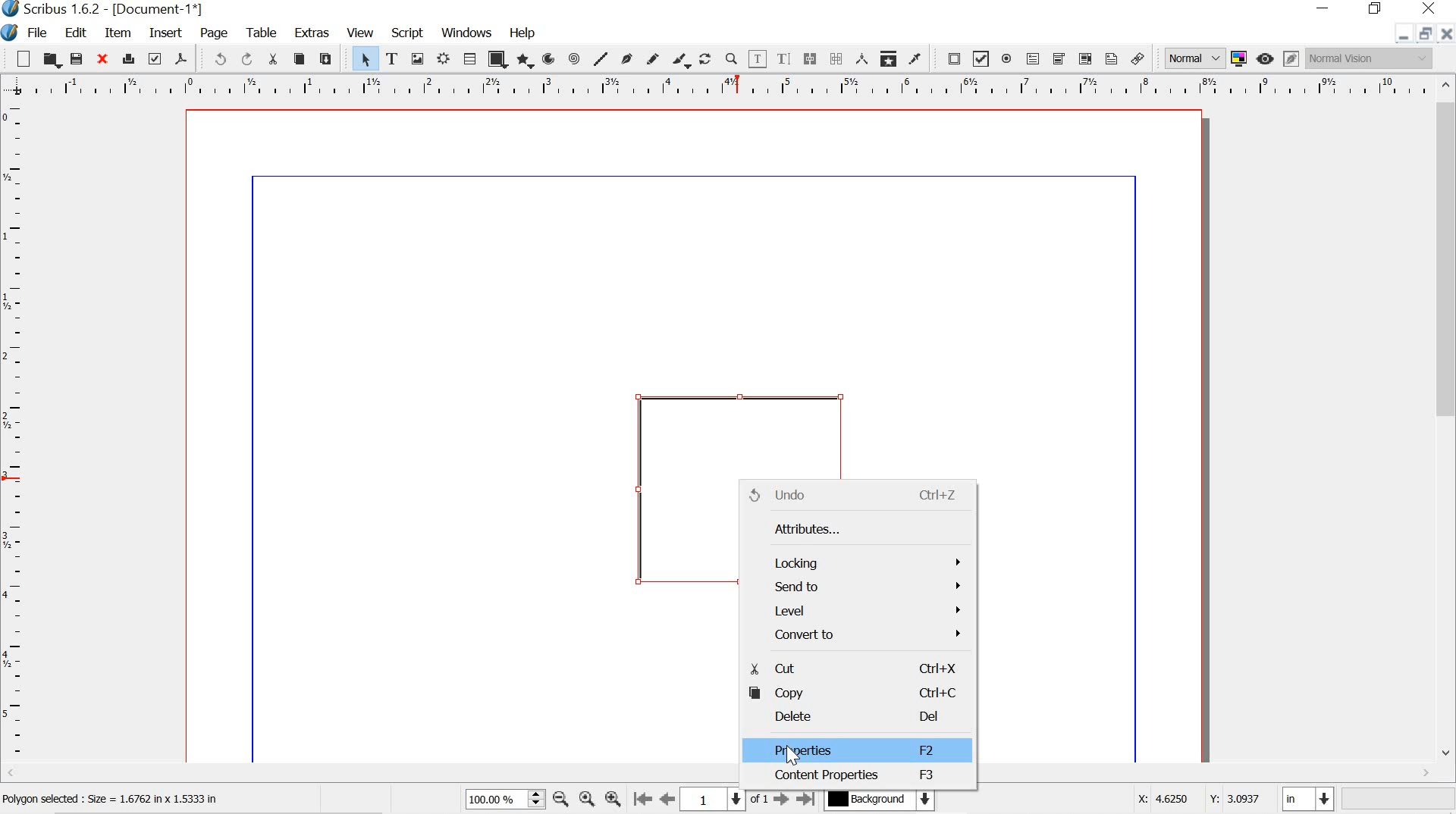  What do you see at coordinates (1197, 797) in the screenshot?
I see `X: 4.6250 Y: 3.0937` at bounding box center [1197, 797].